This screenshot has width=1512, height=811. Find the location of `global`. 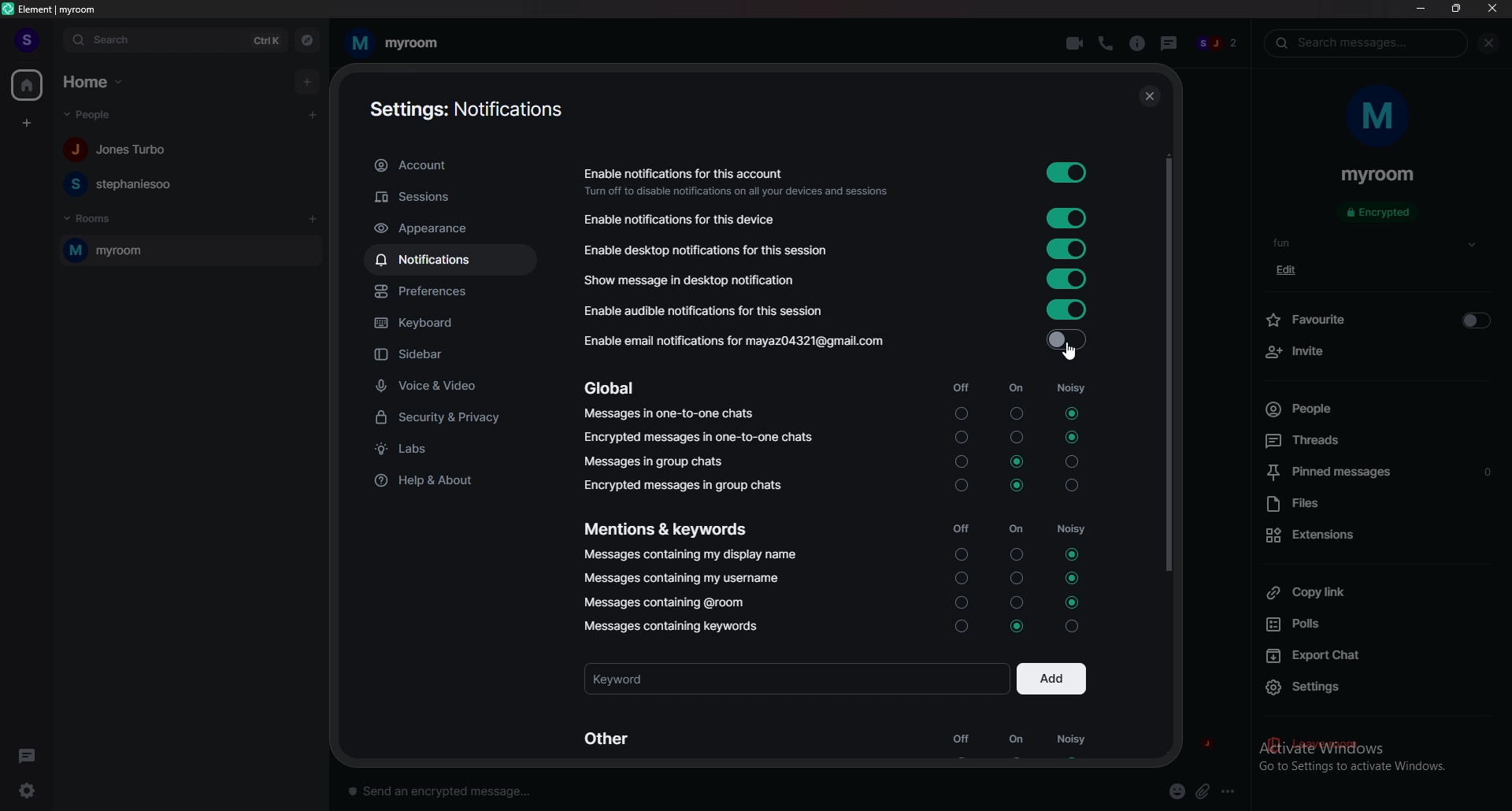

global is located at coordinates (614, 388).